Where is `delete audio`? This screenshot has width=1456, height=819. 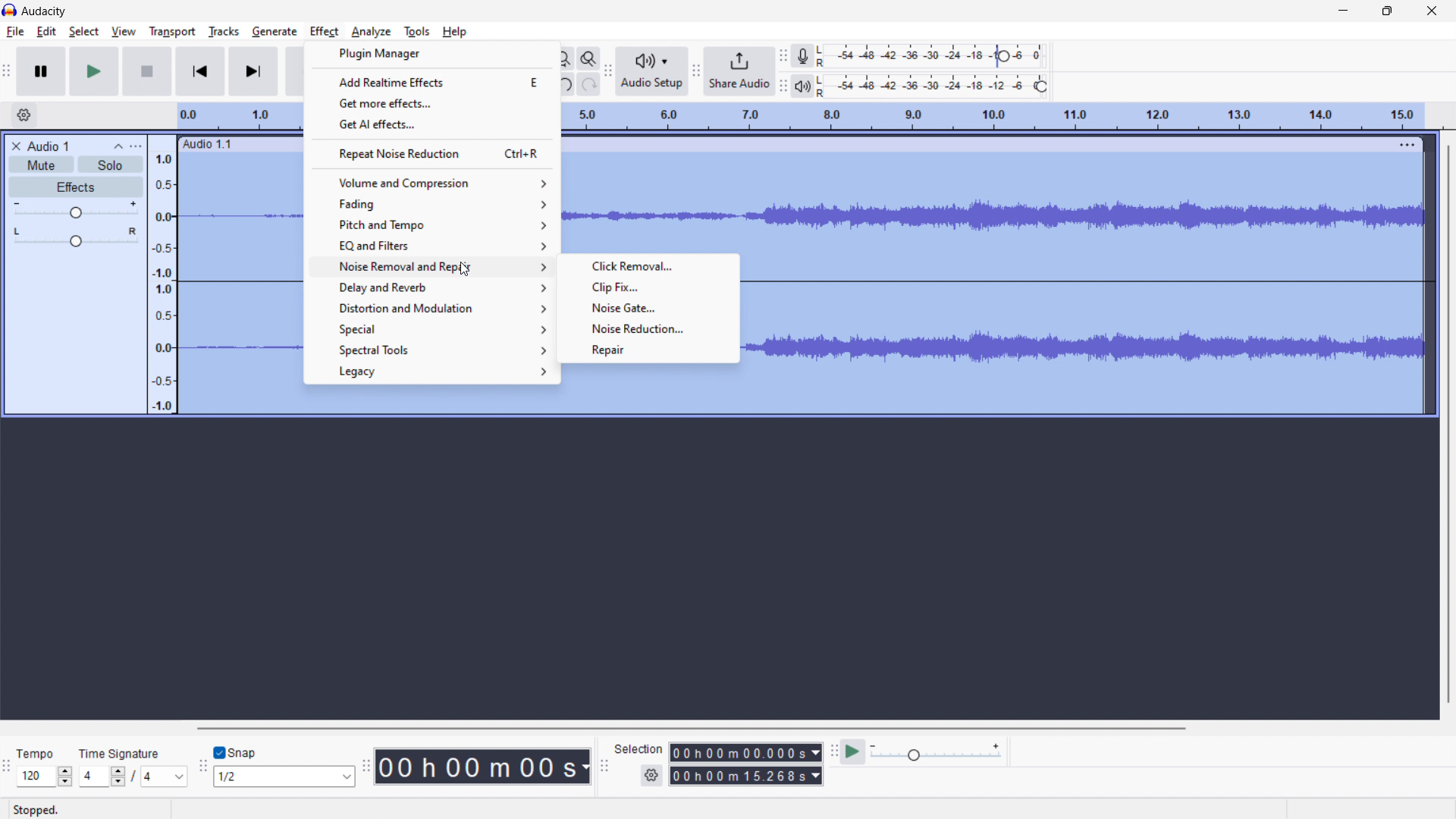 delete audio is located at coordinates (14, 146).